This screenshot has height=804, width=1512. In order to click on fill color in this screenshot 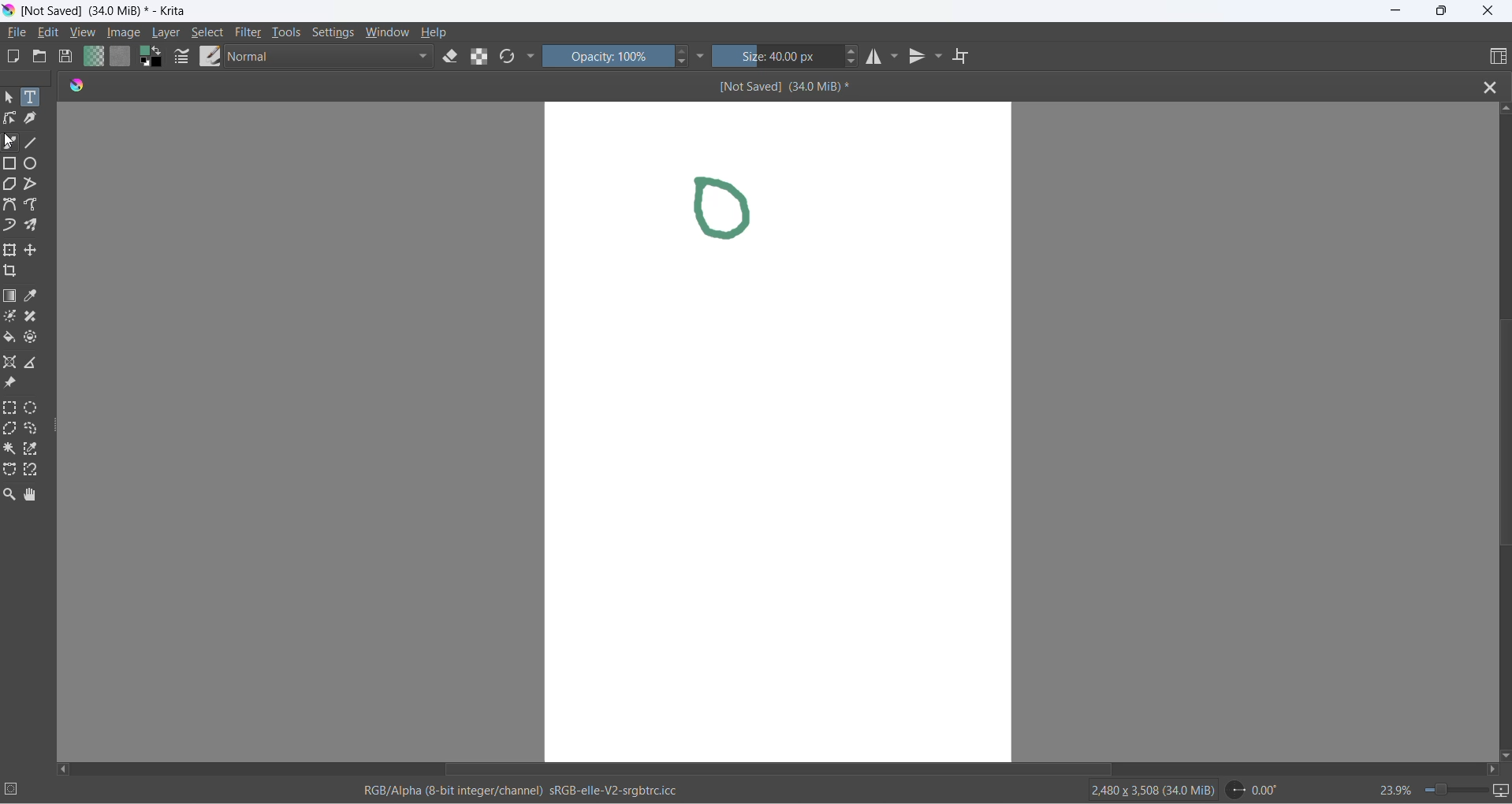, I will do `click(12, 340)`.